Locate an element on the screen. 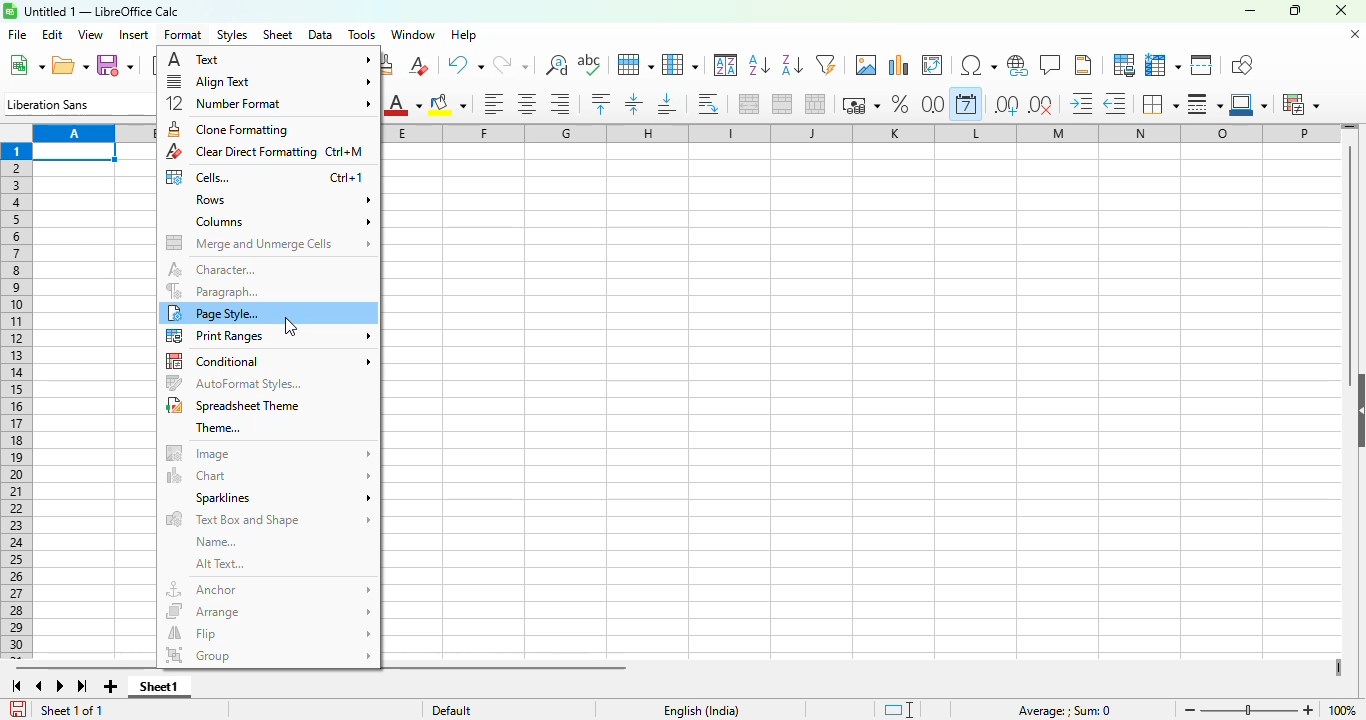 This screenshot has width=1366, height=720. row is located at coordinates (636, 65).